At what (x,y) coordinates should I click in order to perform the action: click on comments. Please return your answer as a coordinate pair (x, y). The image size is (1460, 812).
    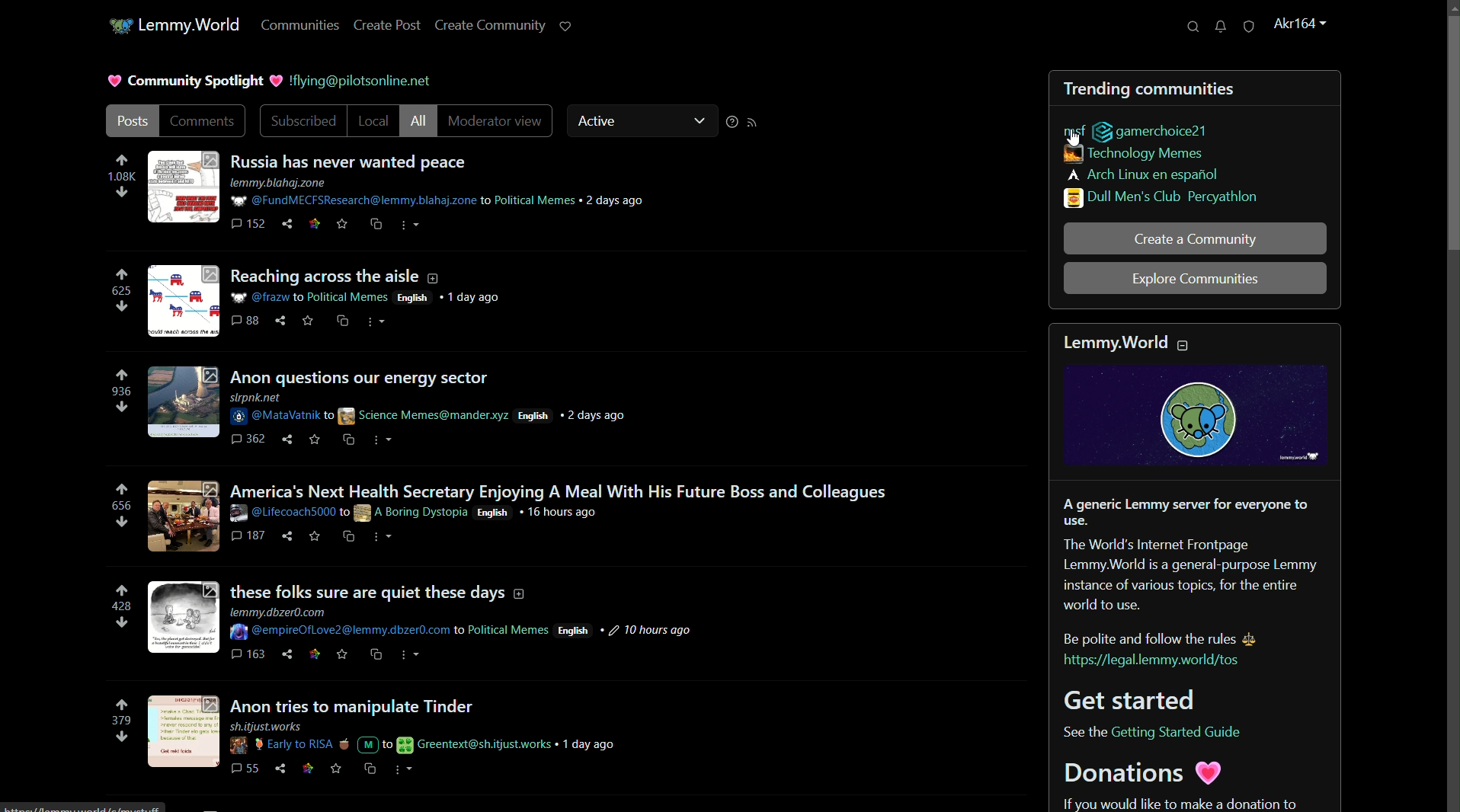
    Looking at the image, I should click on (248, 535).